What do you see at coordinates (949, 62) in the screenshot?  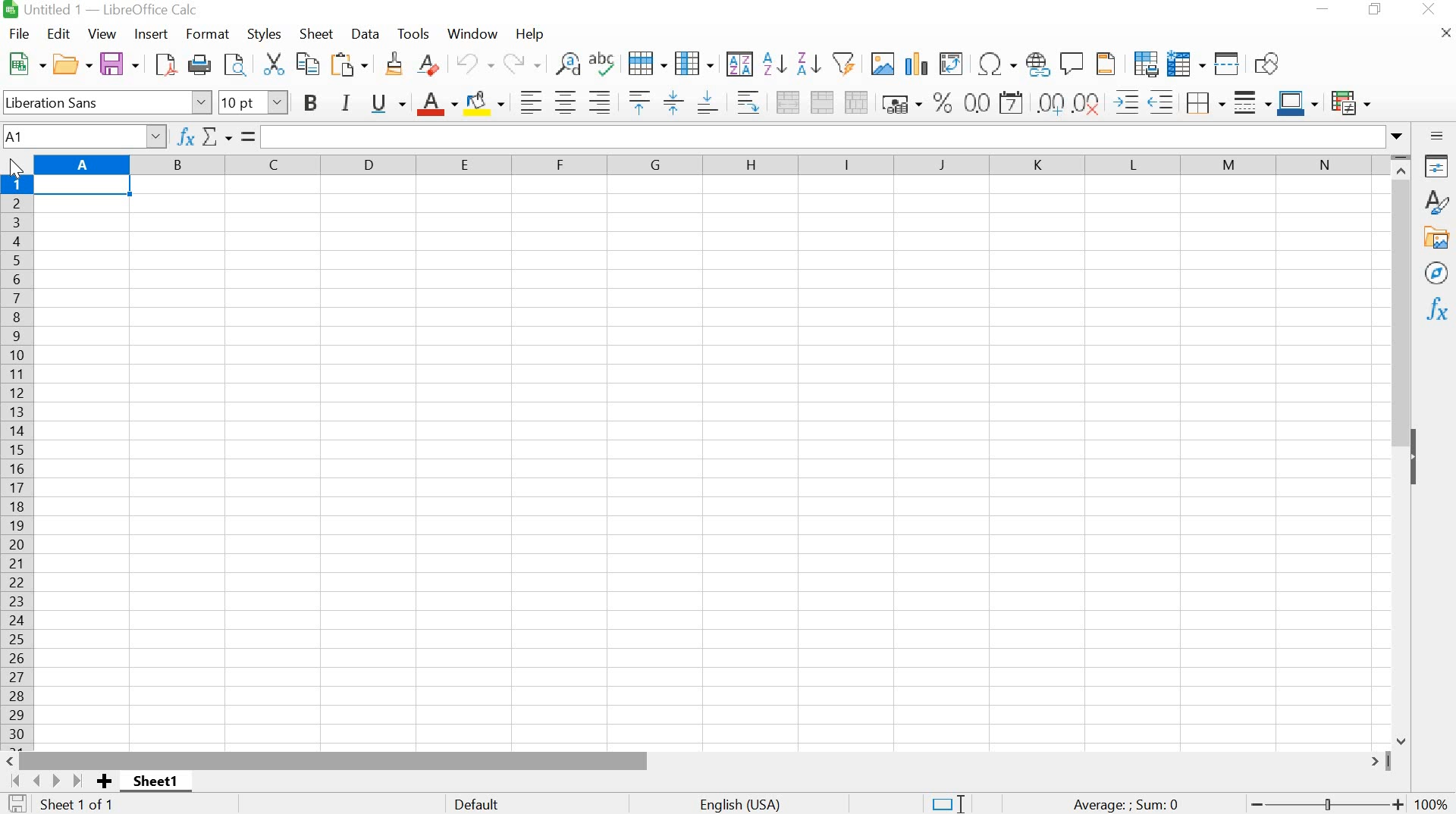 I see `Insert or Edit Pivot Table` at bounding box center [949, 62].